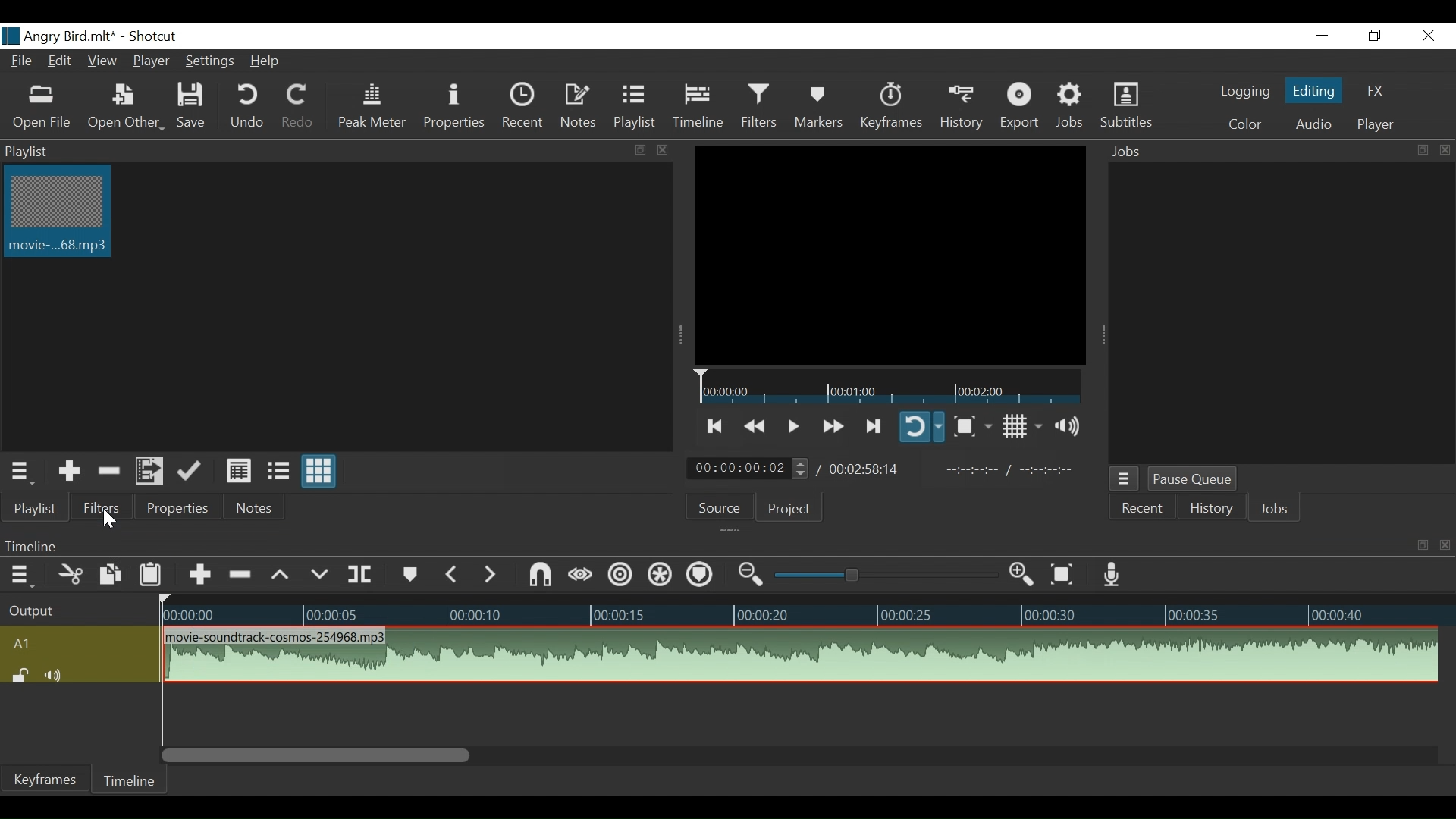 This screenshot has width=1456, height=819. What do you see at coordinates (58, 216) in the screenshot?
I see `Clip` at bounding box center [58, 216].